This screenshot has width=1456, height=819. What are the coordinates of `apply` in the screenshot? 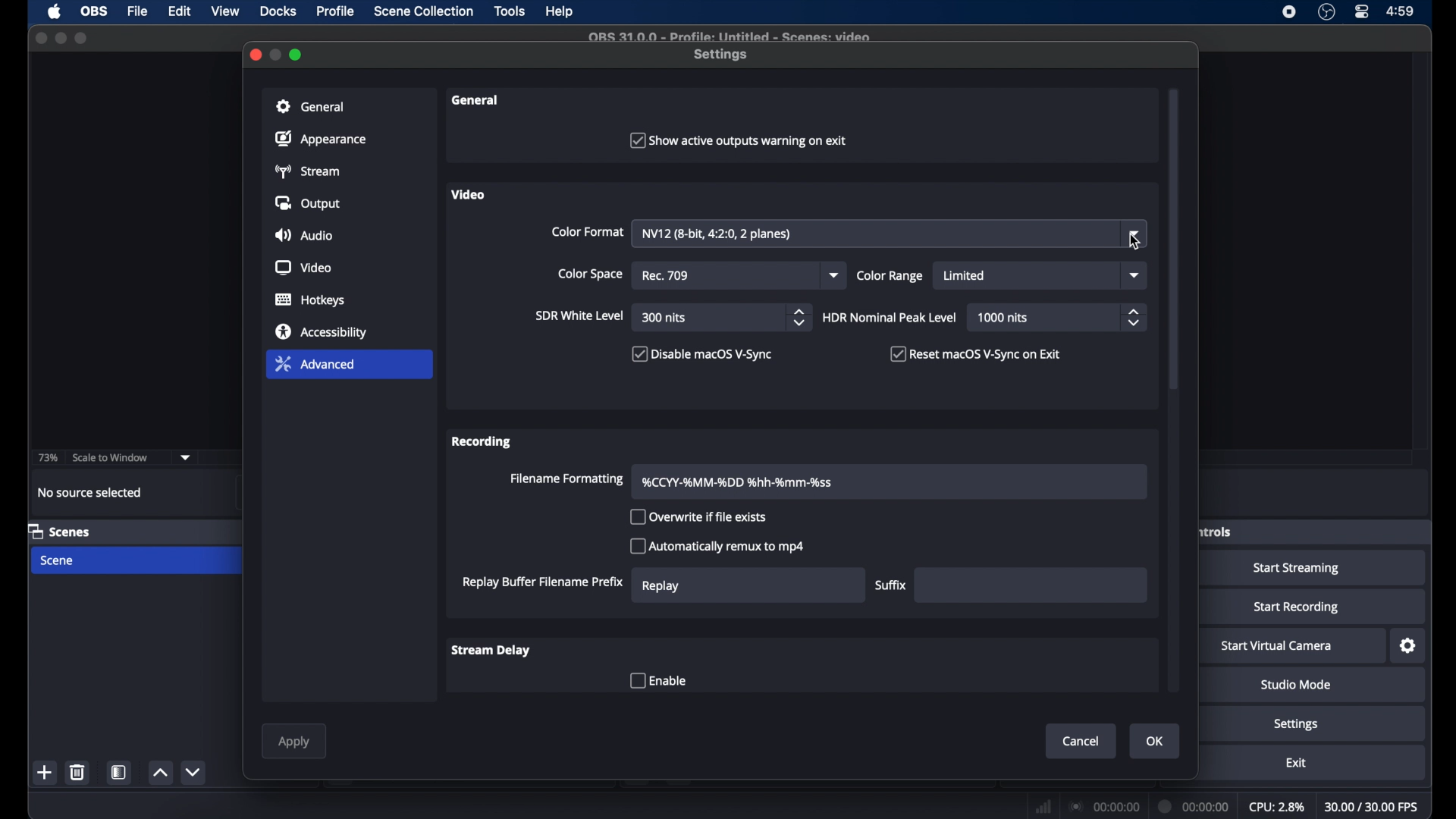 It's located at (296, 742).